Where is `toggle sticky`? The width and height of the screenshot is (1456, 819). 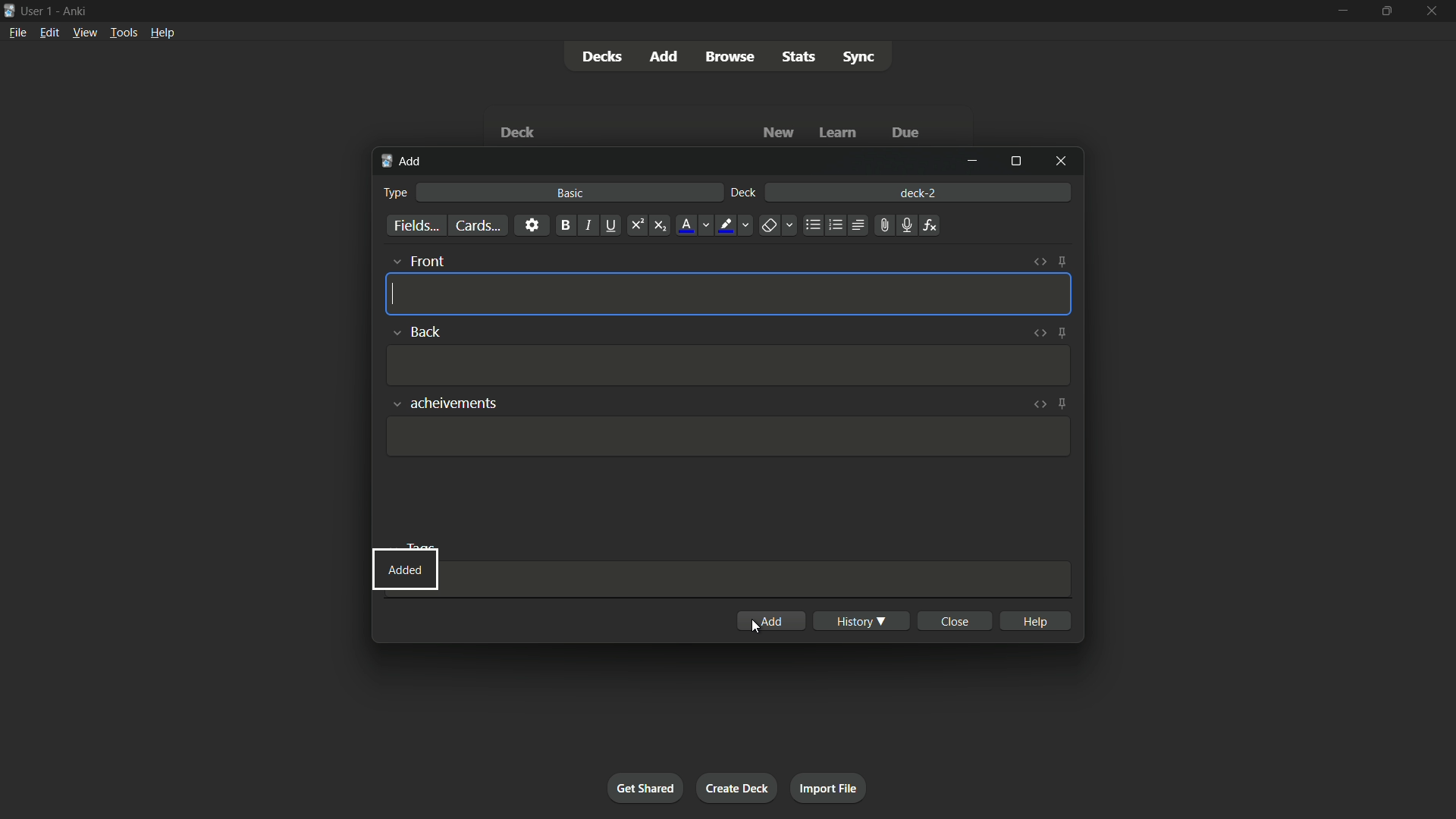 toggle sticky is located at coordinates (1062, 404).